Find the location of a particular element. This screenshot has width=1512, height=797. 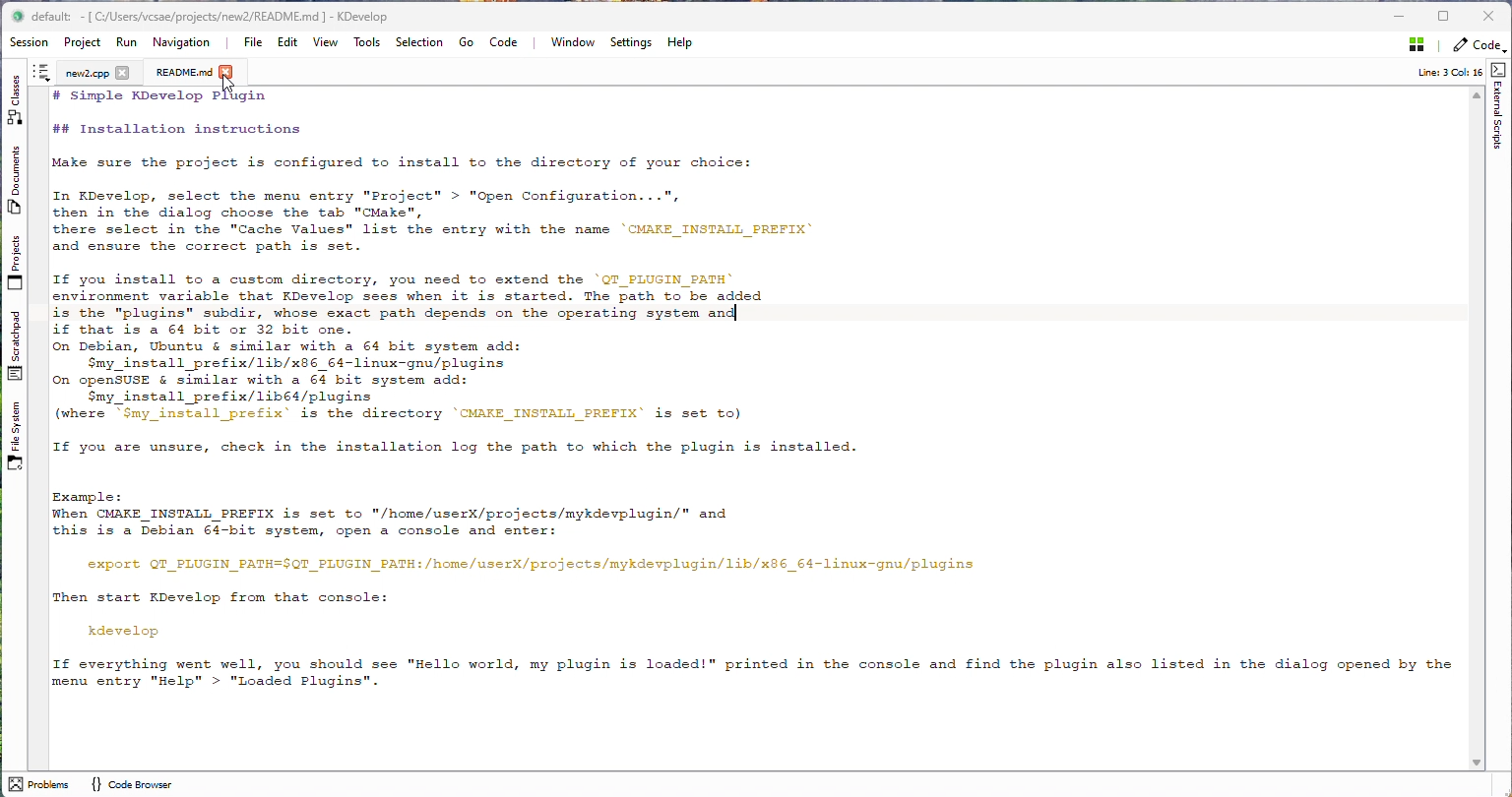

Scratchpad is located at coordinates (20, 346).